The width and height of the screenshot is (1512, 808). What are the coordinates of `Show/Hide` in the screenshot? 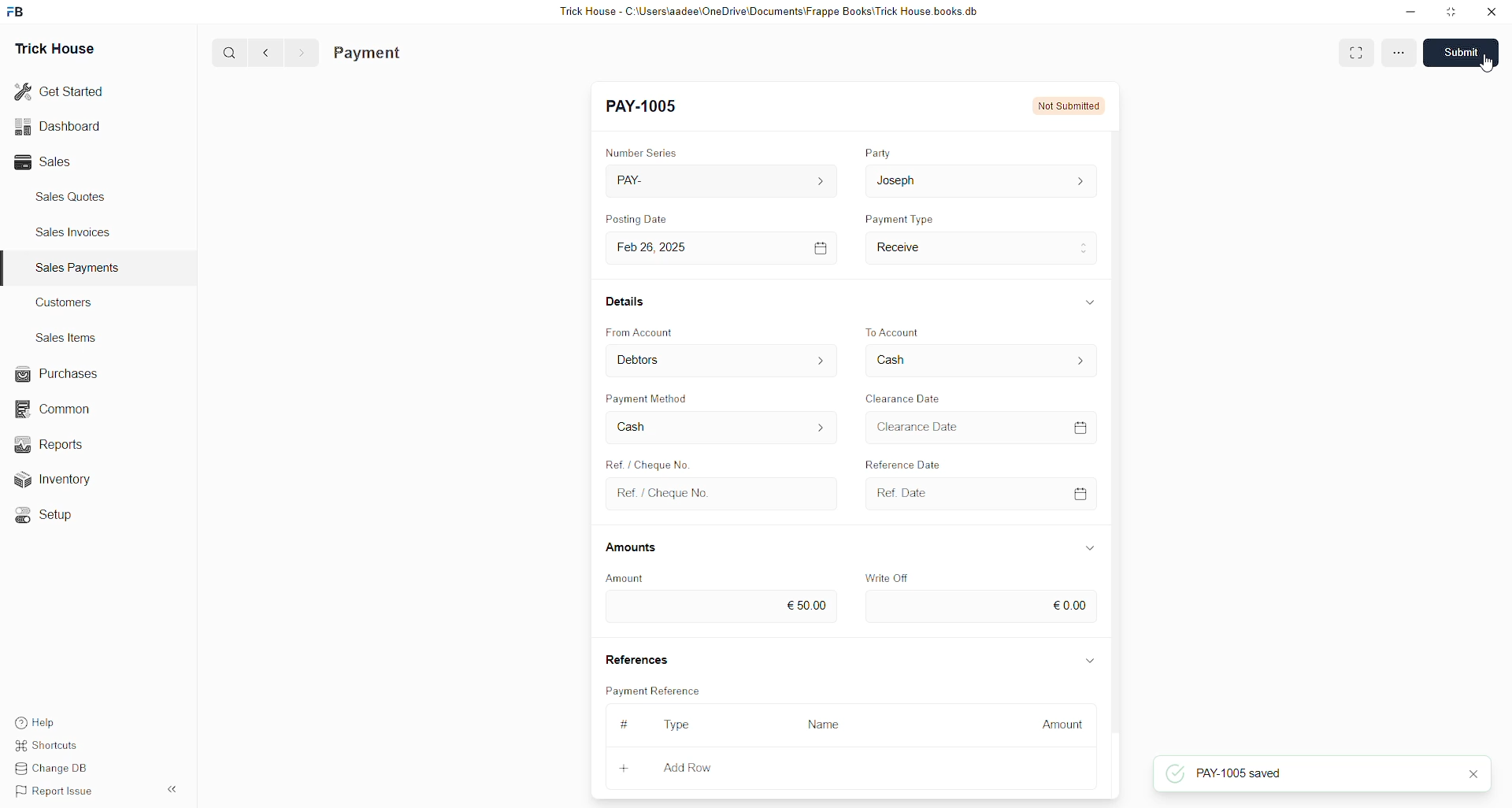 It's located at (1091, 302).